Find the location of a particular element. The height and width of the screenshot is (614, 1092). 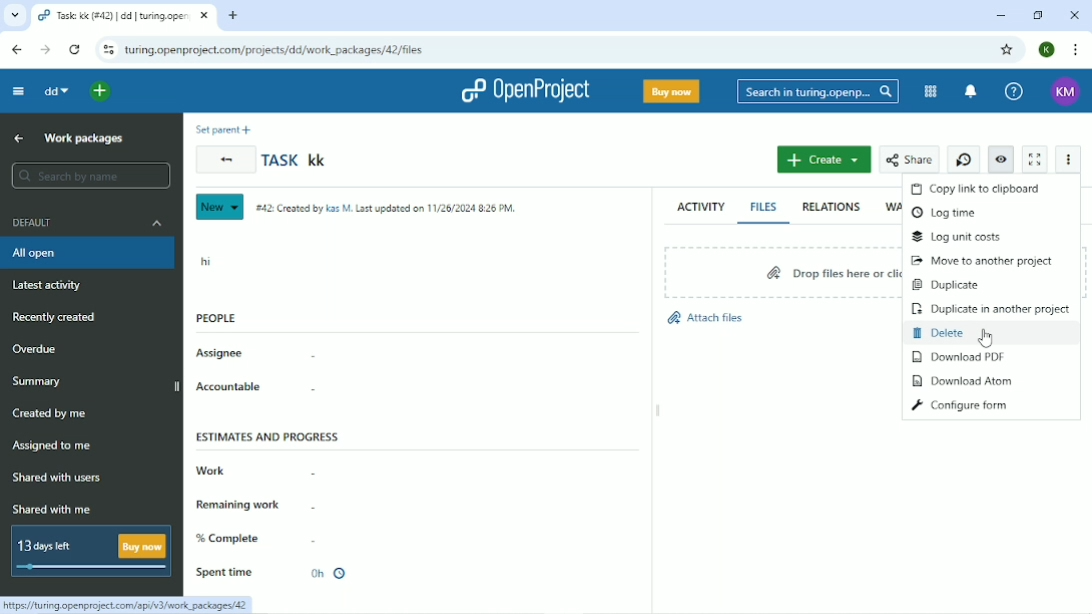

Duplicate is located at coordinates (952, 285).